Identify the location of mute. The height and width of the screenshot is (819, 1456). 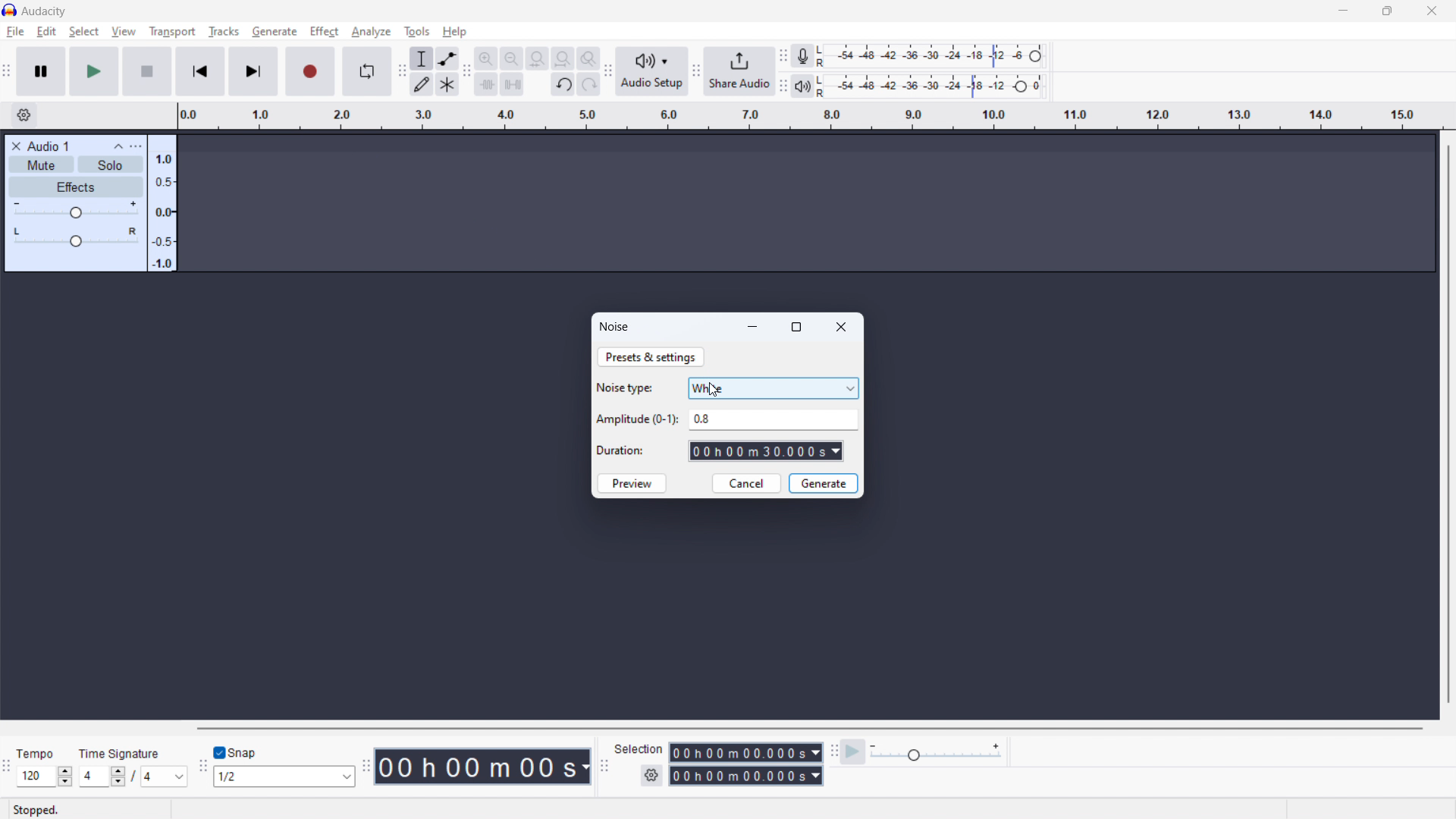
(41, 165).